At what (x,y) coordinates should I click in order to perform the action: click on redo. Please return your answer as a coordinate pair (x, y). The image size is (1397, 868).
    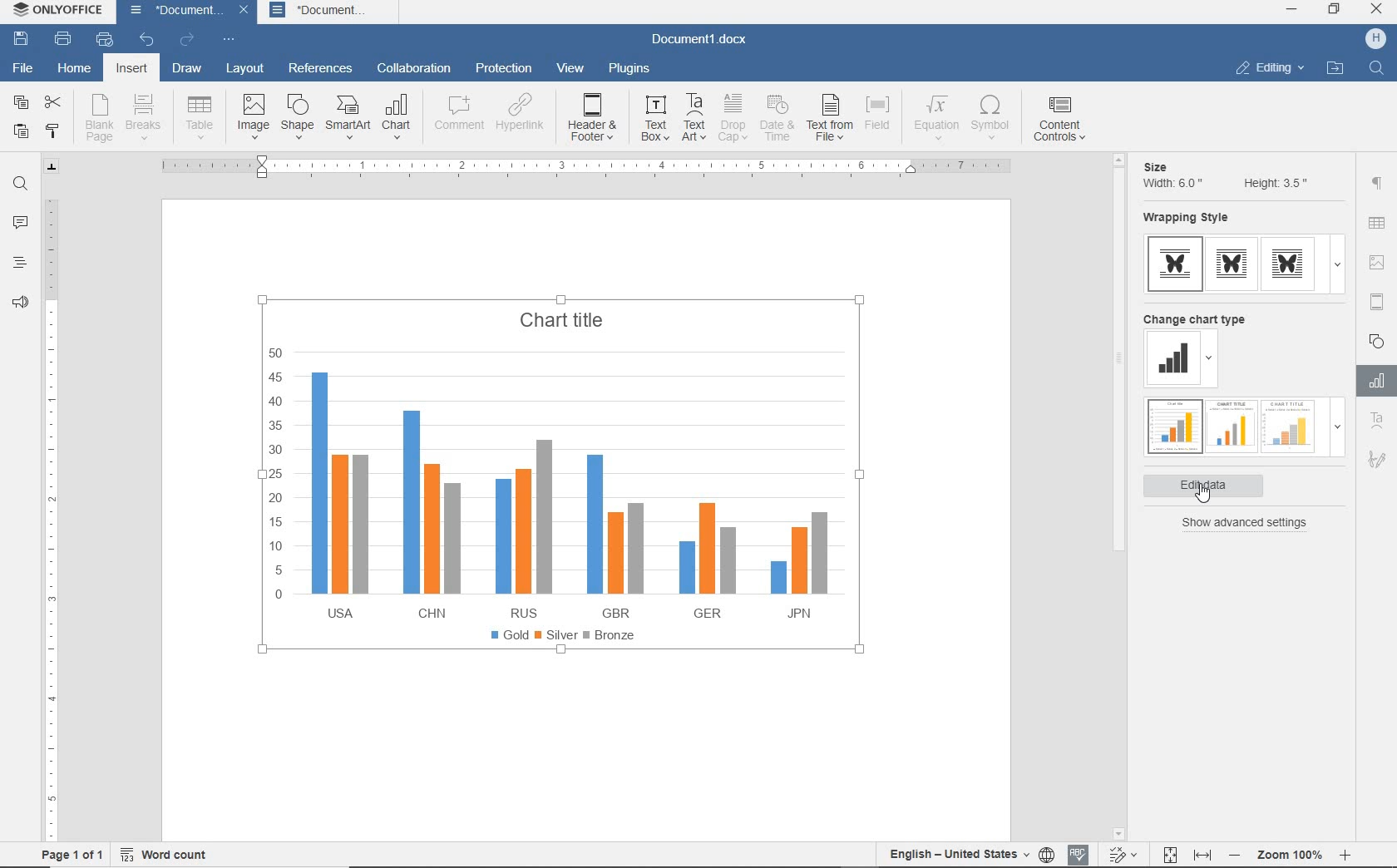
    Looking at the image, I should click on (186, 41).